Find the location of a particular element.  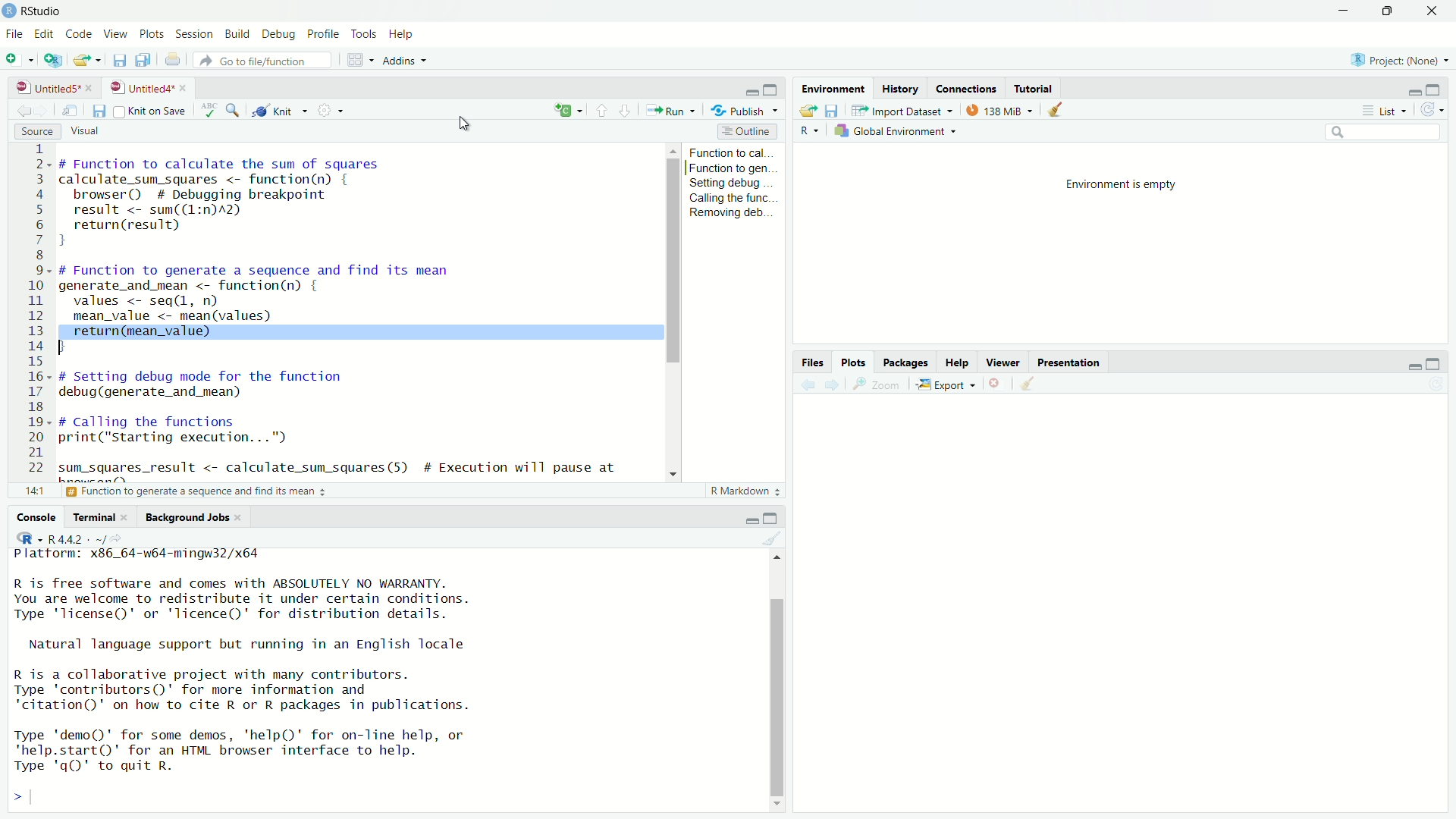

save current document is located at coordinates (98, 110).